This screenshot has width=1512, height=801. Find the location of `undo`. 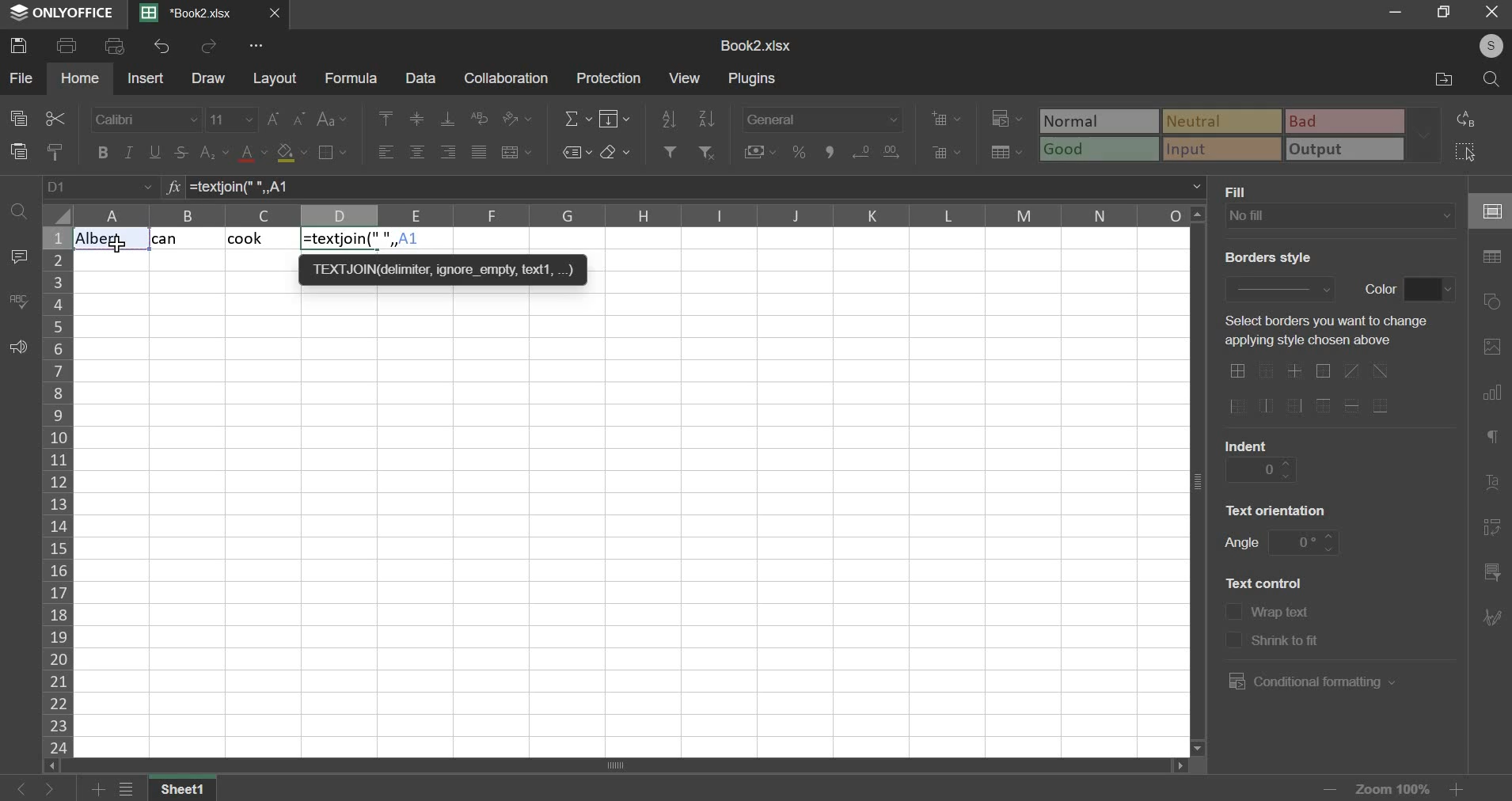

undo is located at coordinates (161, 46).